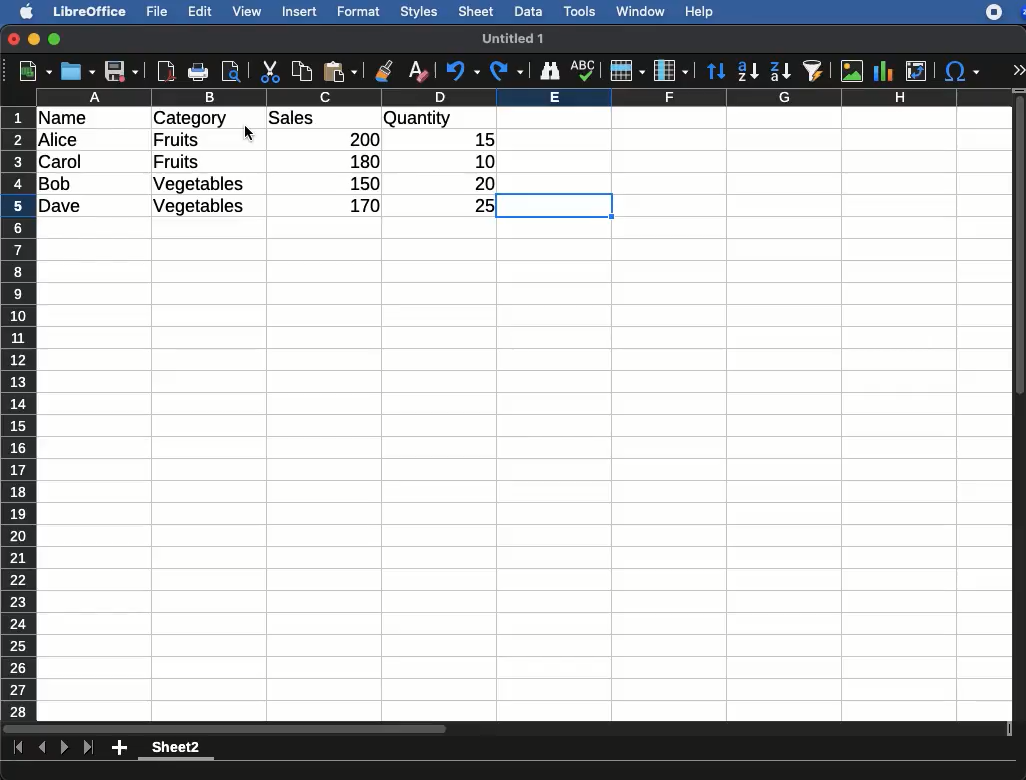 The image size is (1026, 780). What do you see at coordinates (300, 11) in the screenshot?
I see `insert` at bounding box center [300, 11].